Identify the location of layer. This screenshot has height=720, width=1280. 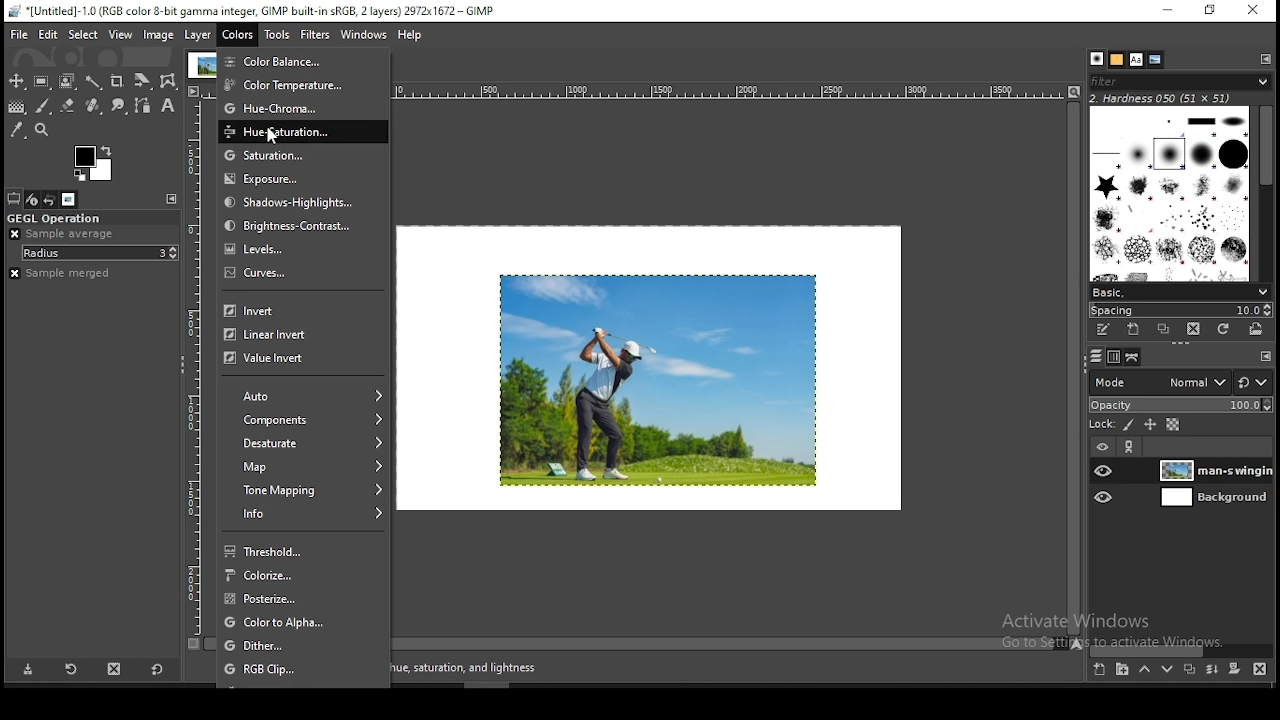
(195, 32).